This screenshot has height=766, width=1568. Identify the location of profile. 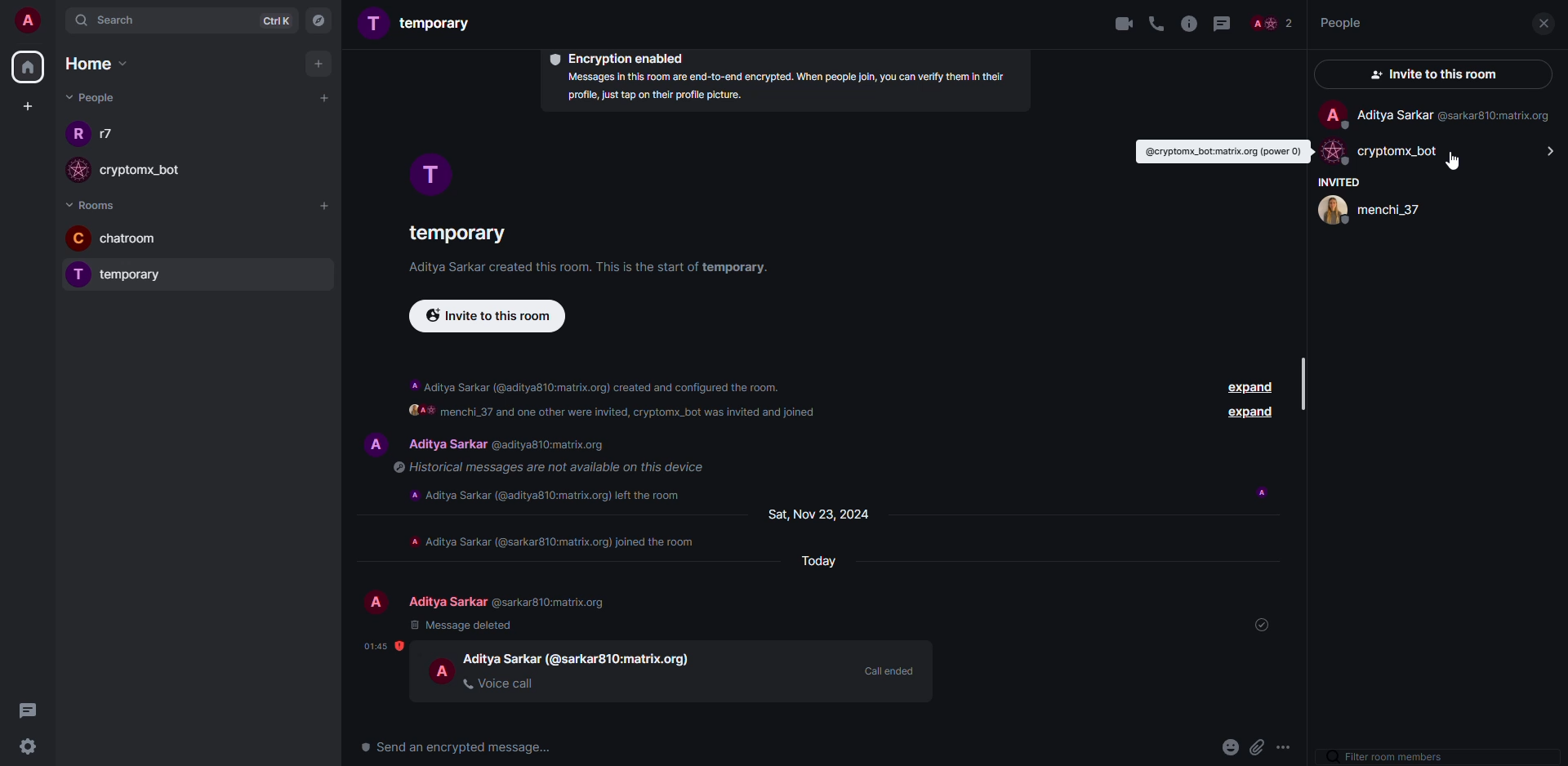
(430, 175).